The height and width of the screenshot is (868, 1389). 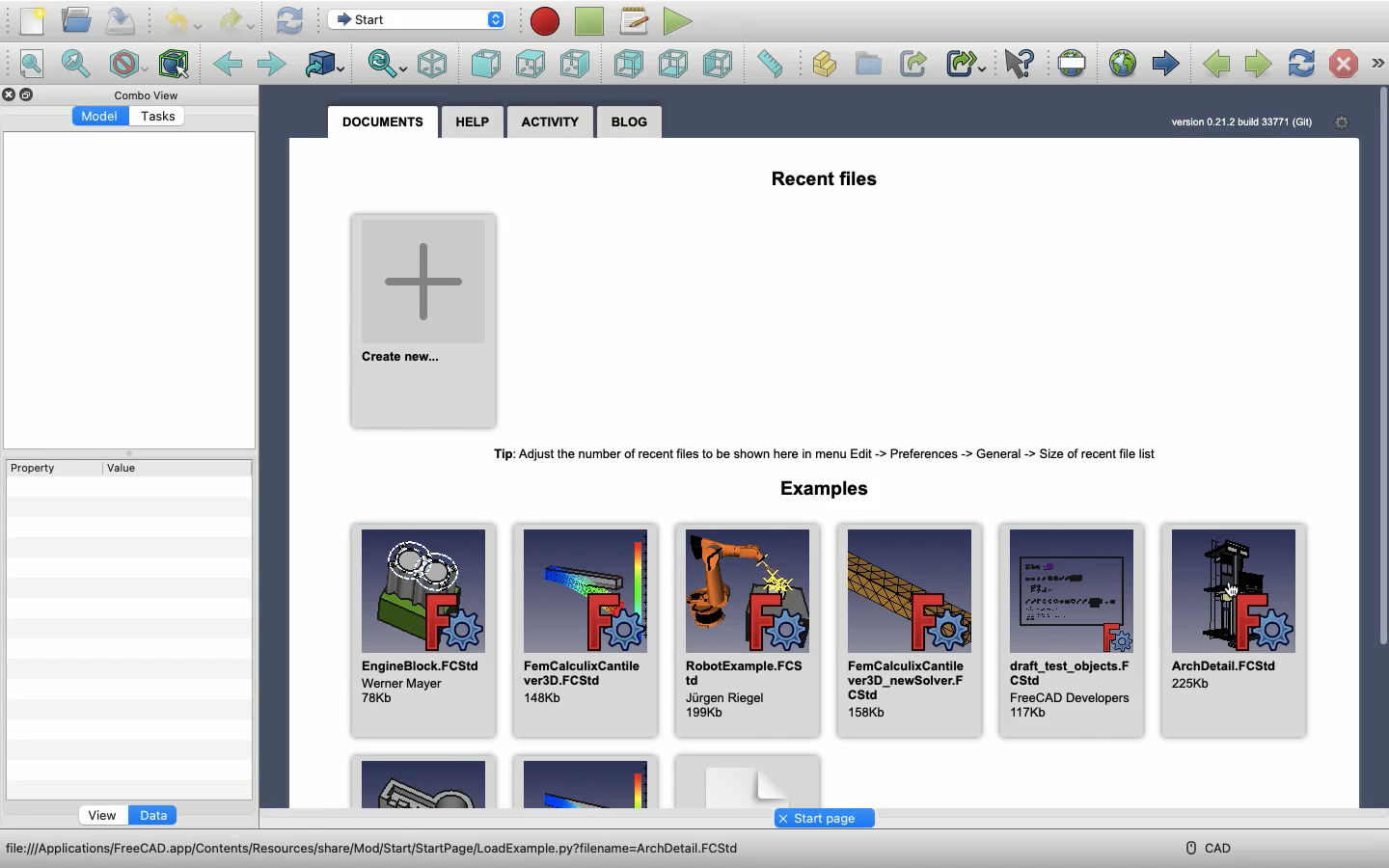 I want to click on Macro recording, so click(x=544, y=21).